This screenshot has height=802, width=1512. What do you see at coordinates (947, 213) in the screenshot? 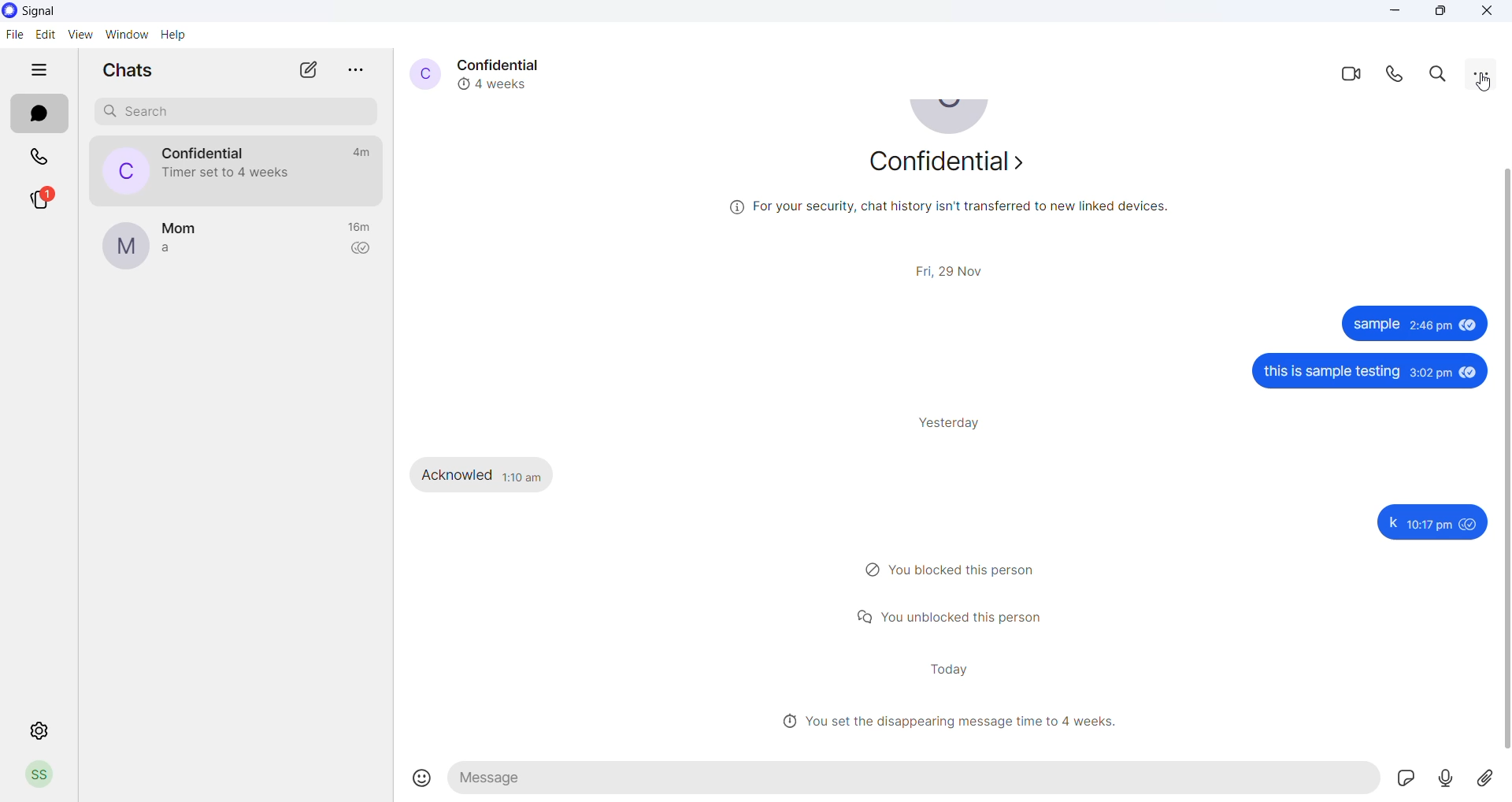
I see `security related text` at bounding box center [947, 213].